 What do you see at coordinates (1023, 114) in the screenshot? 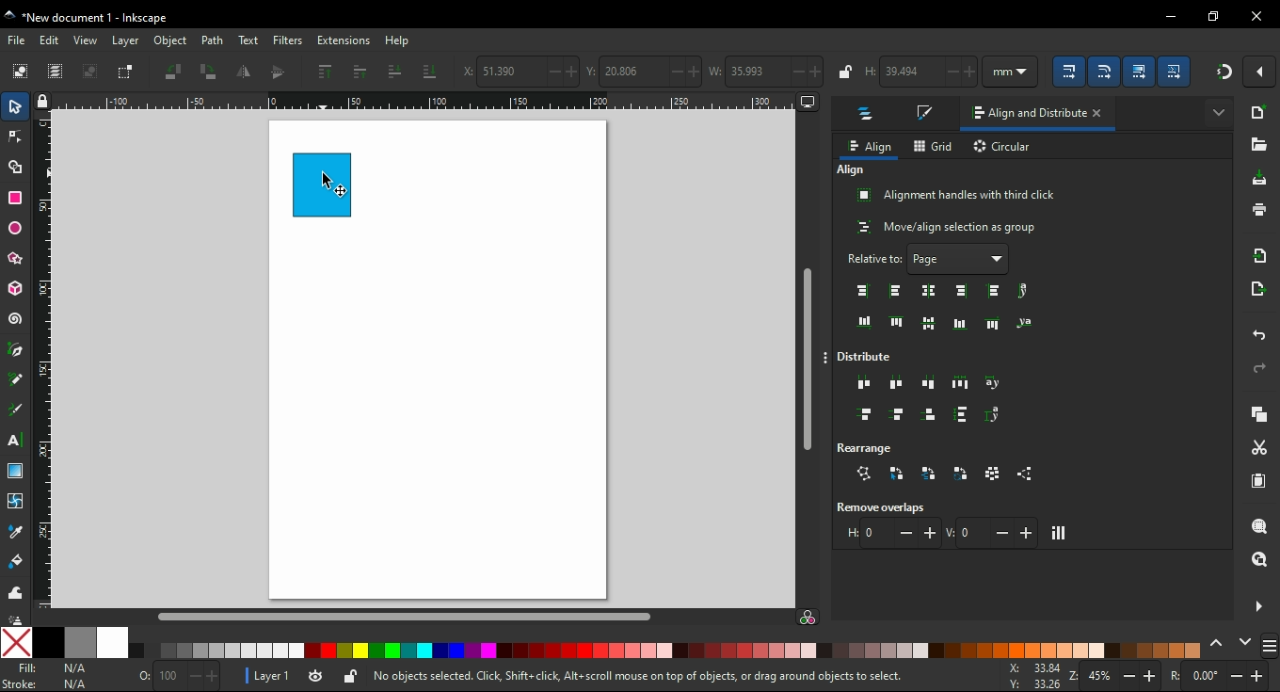
I see `align and distribute` at bounding box center [1023, 114].